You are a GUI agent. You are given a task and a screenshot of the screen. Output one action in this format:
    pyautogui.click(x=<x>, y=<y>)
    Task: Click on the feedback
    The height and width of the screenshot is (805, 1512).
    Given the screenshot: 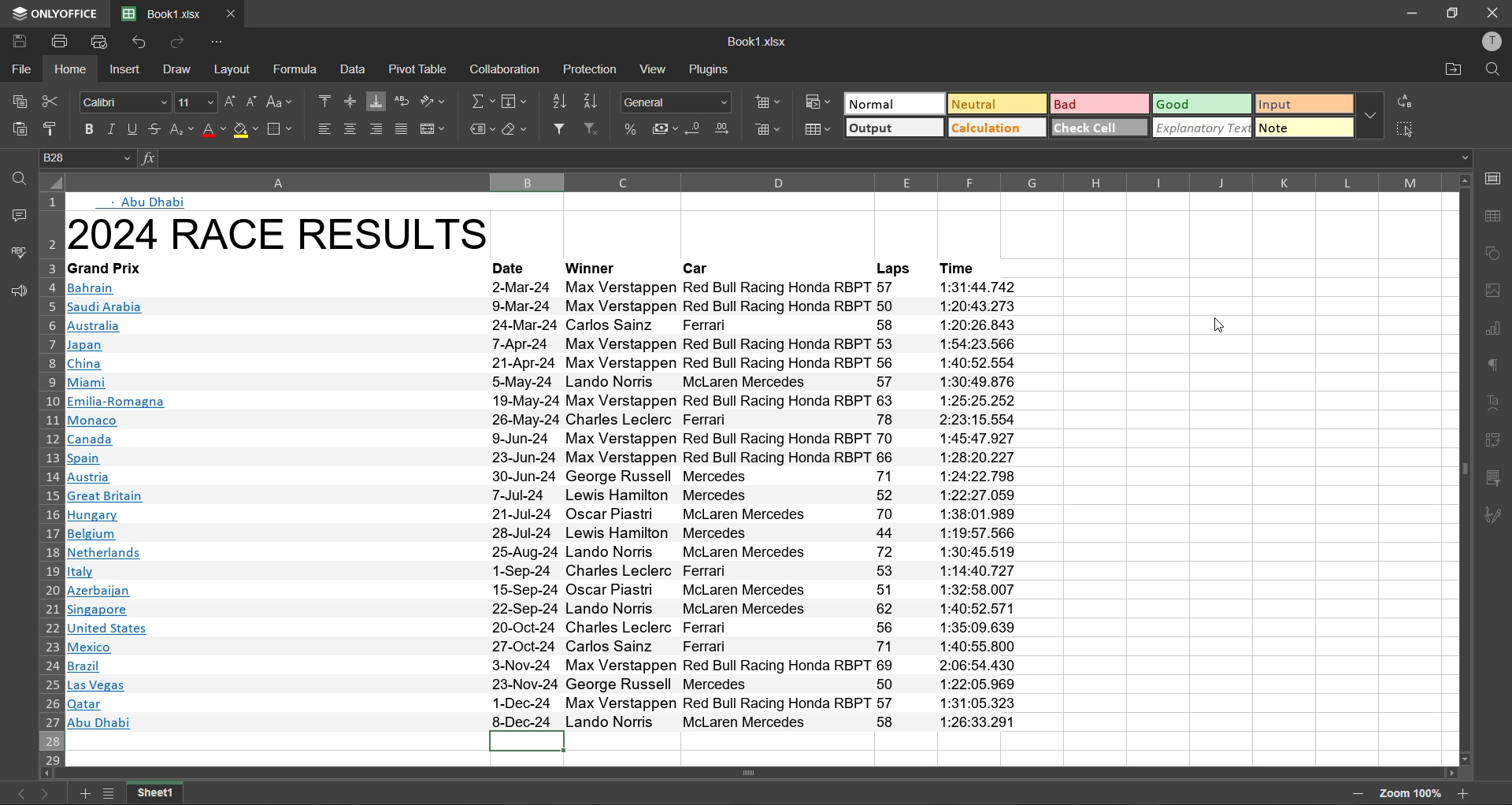 What is the action you would take?
    pyautogui.click(x=16, y=293)
    